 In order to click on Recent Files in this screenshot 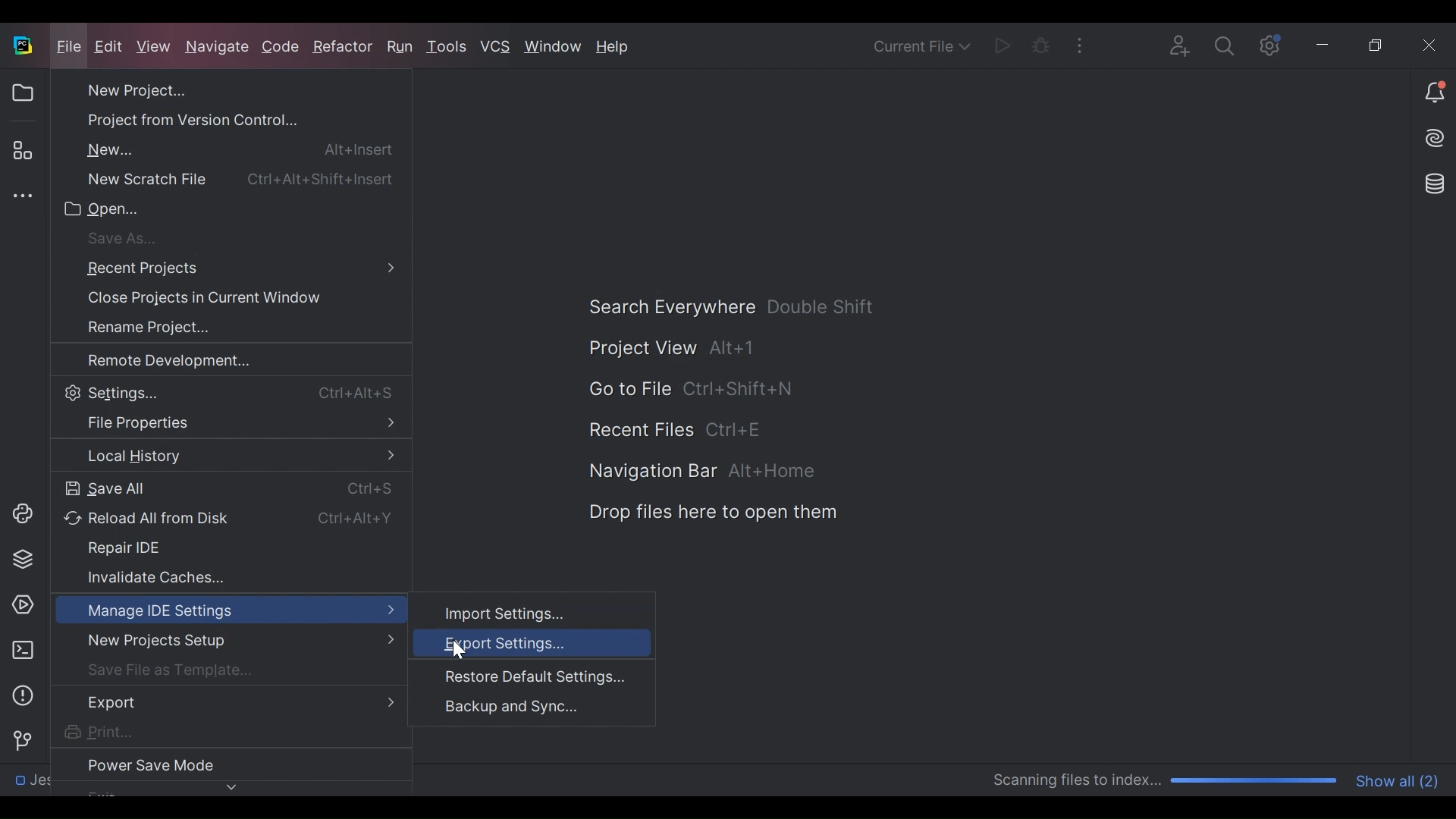, I will do `click(676, 429)`.